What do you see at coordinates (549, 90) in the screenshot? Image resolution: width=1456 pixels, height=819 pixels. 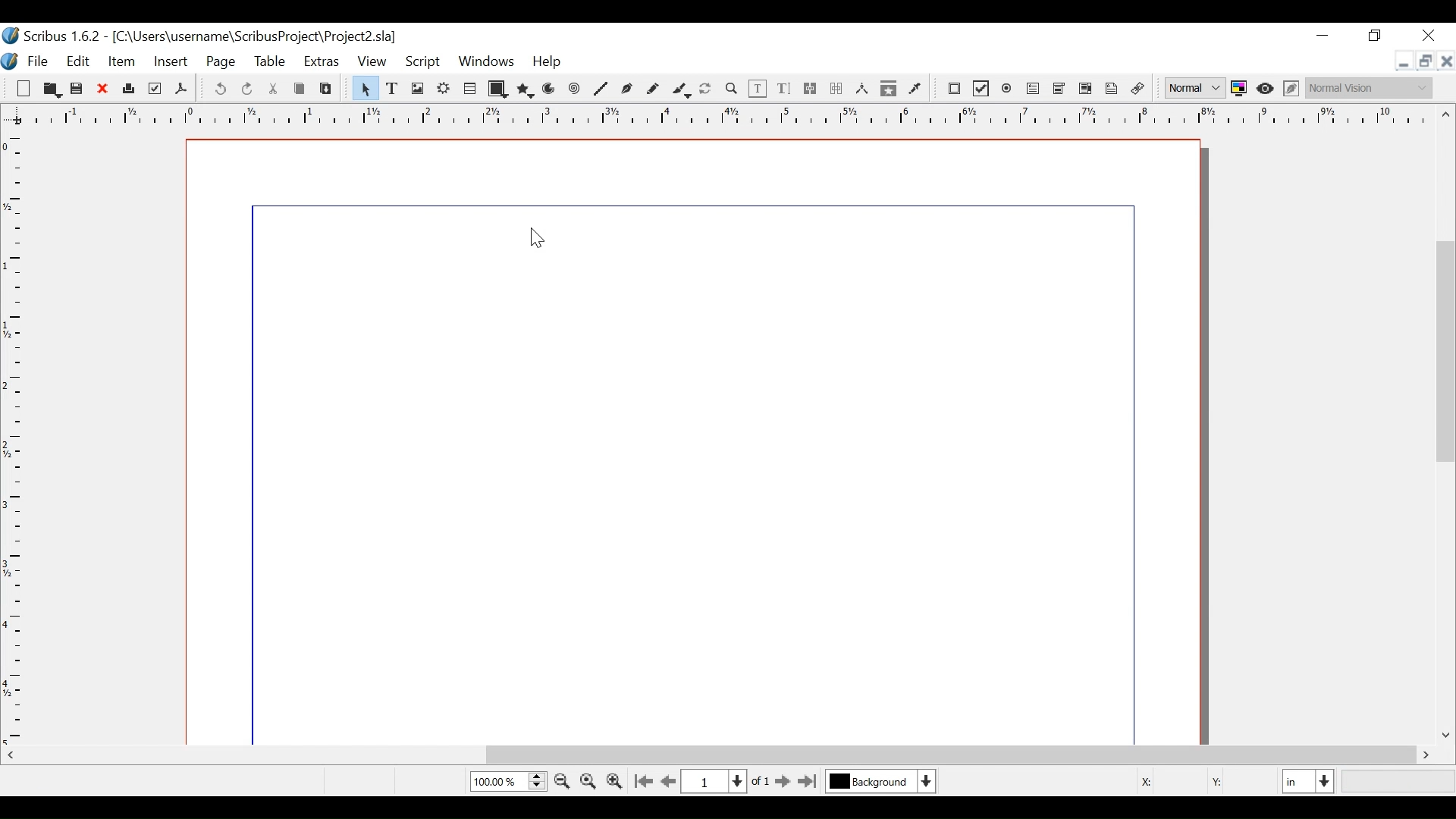 I see `Arc` at bounding box center [549, 90].